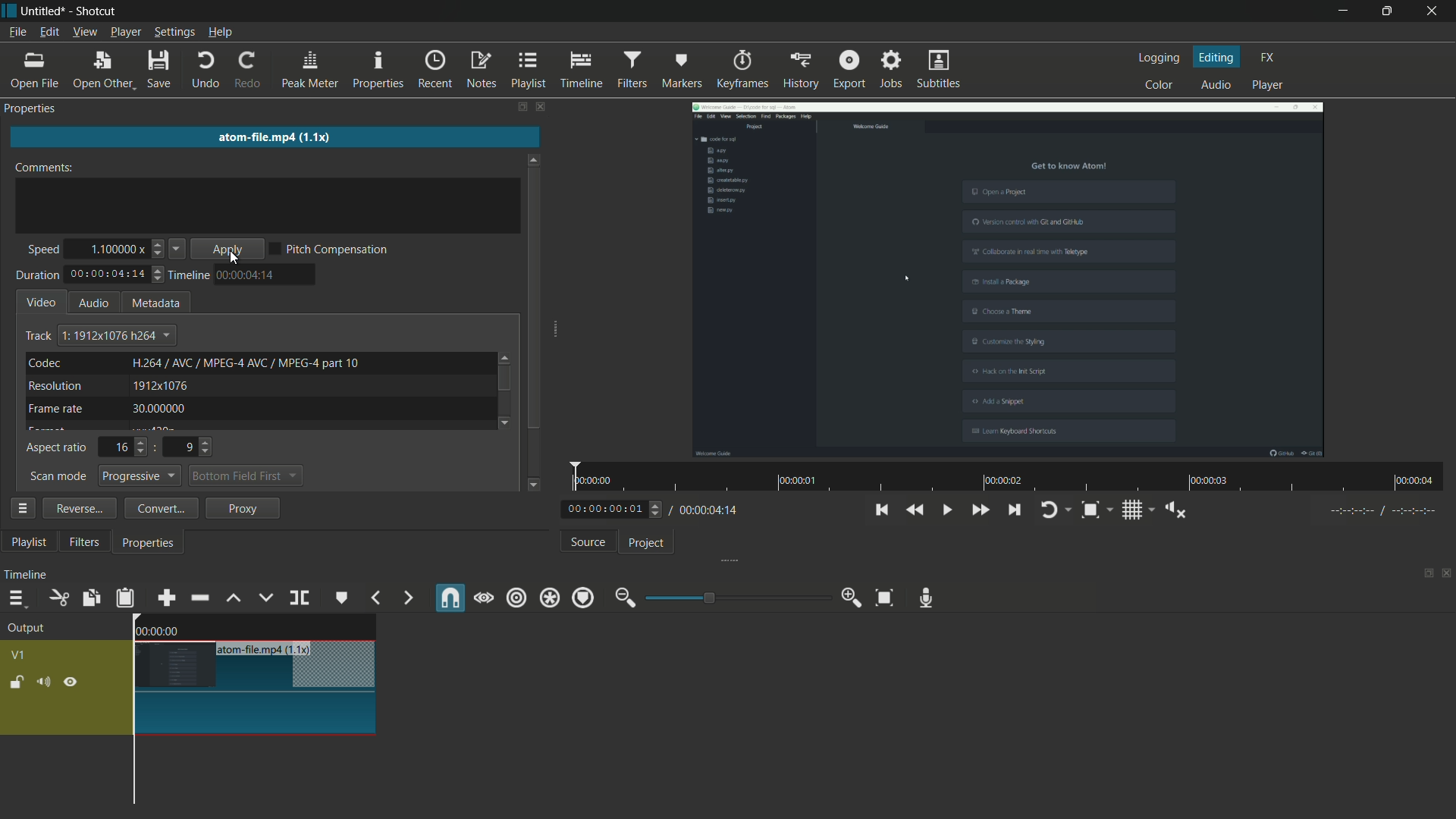 This screenshot has width=1456, height=819. What do you see at coordinates (409, 598) in the screenshot?
I see `next marker` at bounding box center [409, 598].